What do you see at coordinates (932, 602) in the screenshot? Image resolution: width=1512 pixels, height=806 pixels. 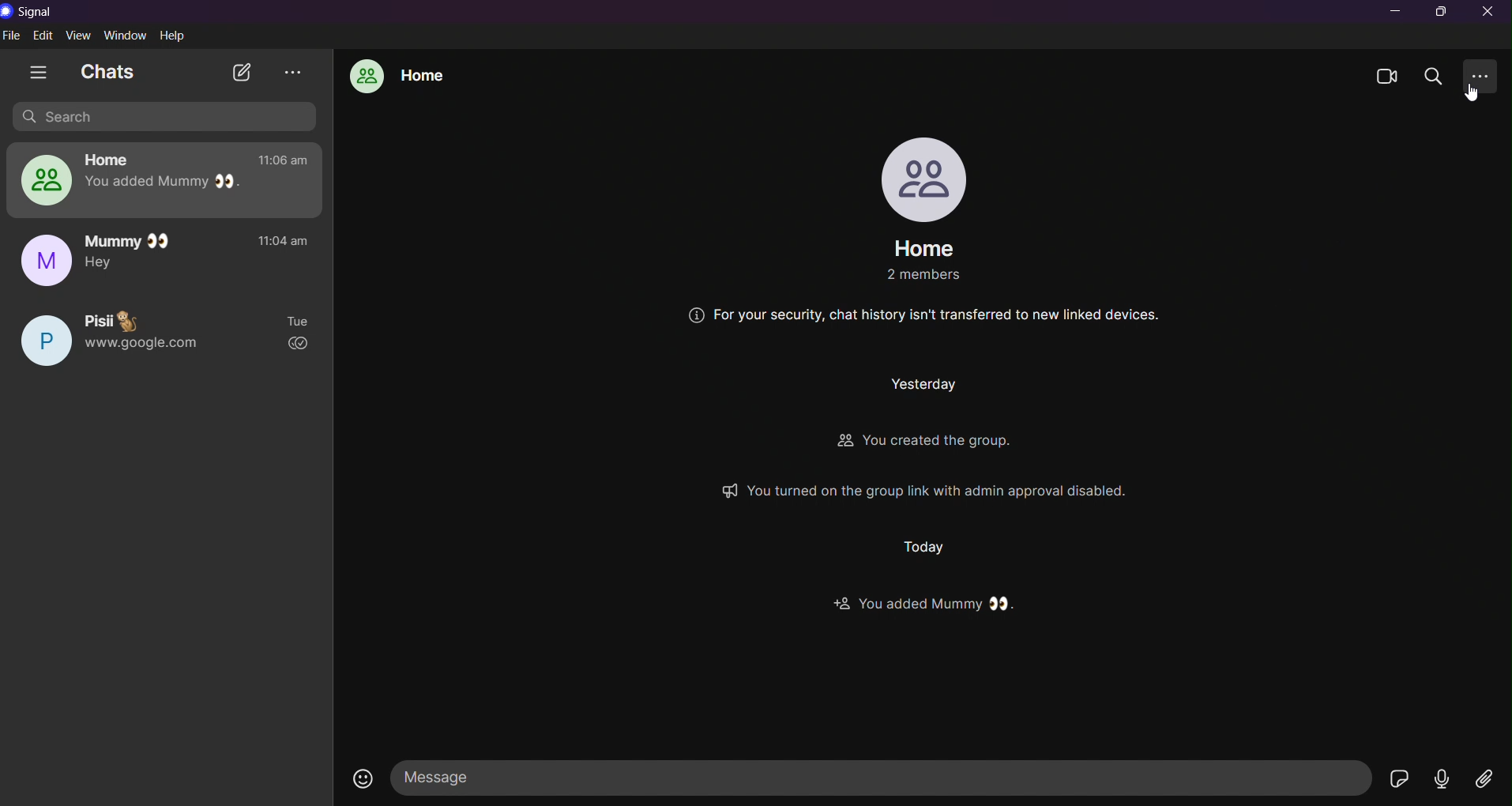 I see `You added Mummy` at bounding box center [932, 602].